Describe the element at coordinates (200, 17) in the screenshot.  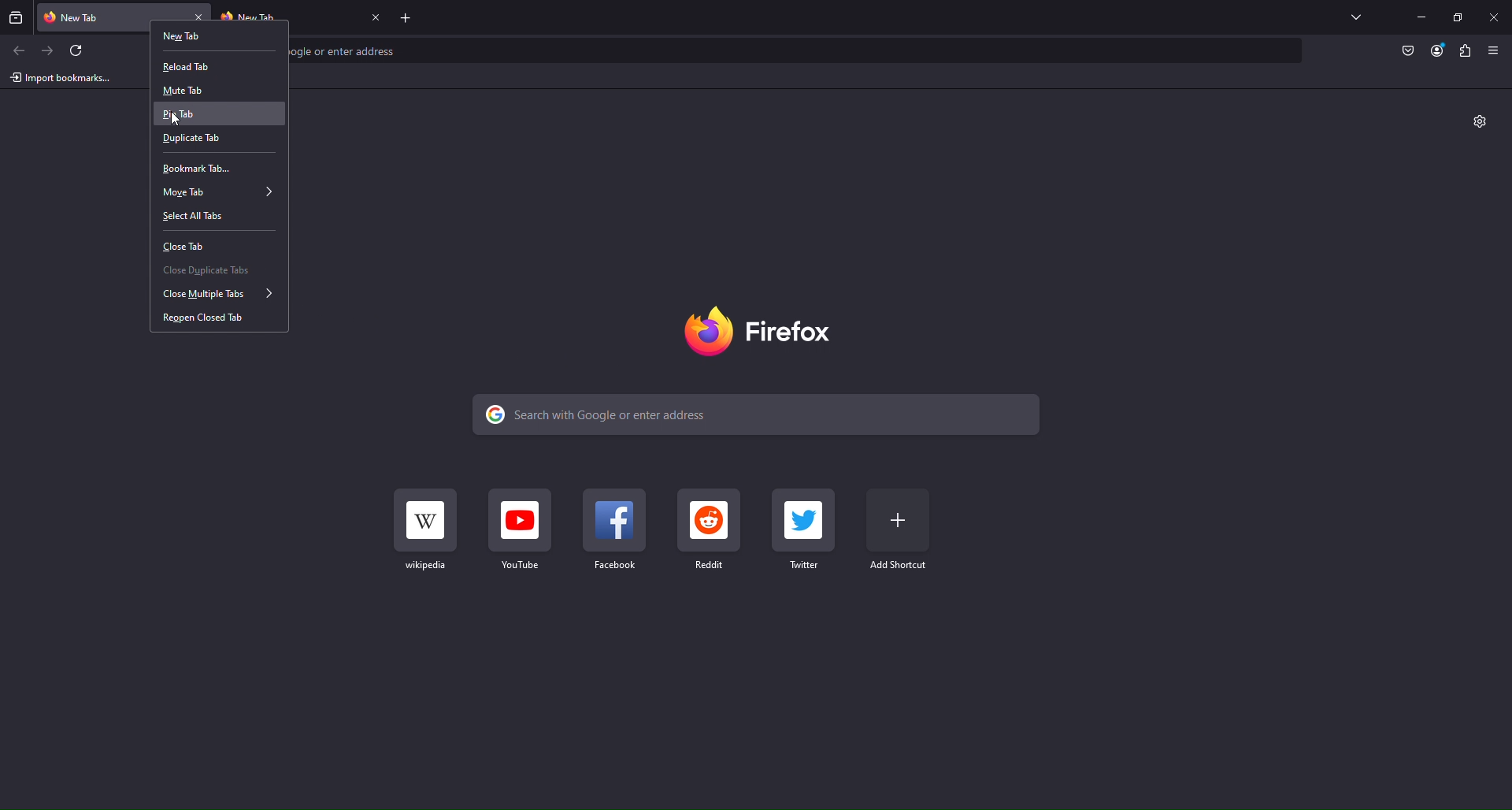
I see `close tab` at that location.